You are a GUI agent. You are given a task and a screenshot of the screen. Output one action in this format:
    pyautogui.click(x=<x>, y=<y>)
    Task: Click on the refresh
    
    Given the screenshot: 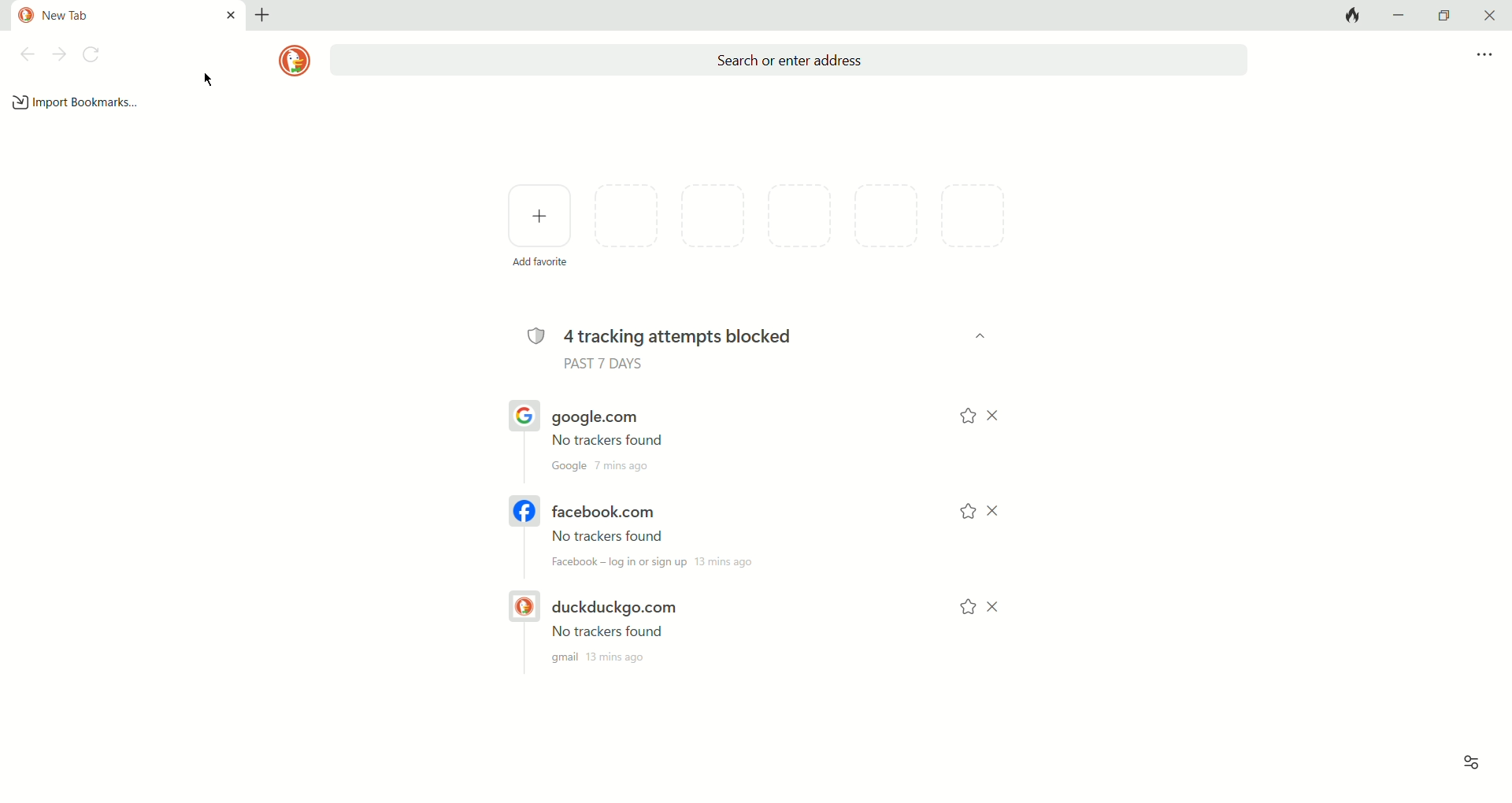 What is the action you would take?
    pyautogui.click(x=95, y=56)
    